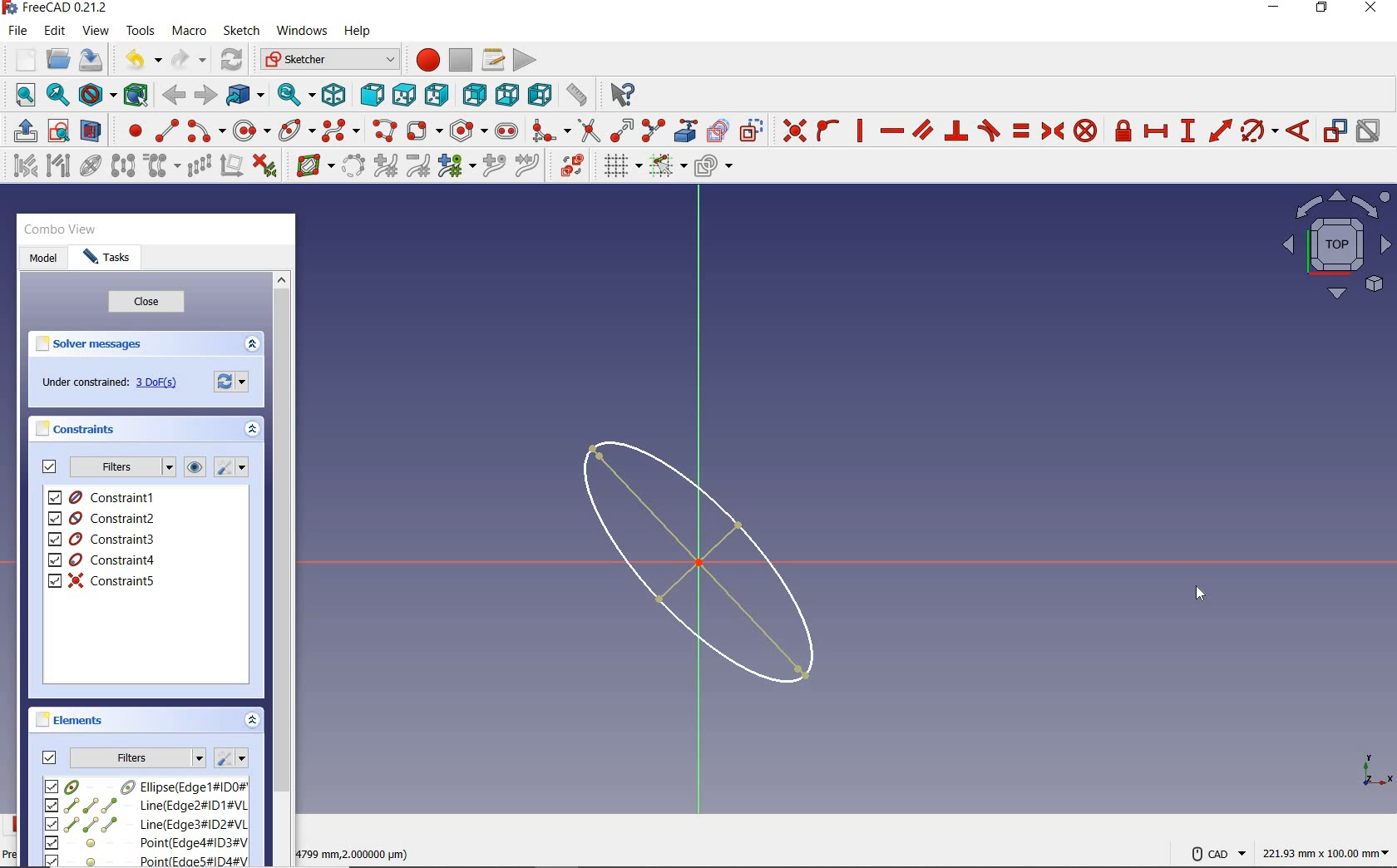 The width and height of the screenshot is (1397, 868). I want to click on remove axes alignment, so click(230, 167).